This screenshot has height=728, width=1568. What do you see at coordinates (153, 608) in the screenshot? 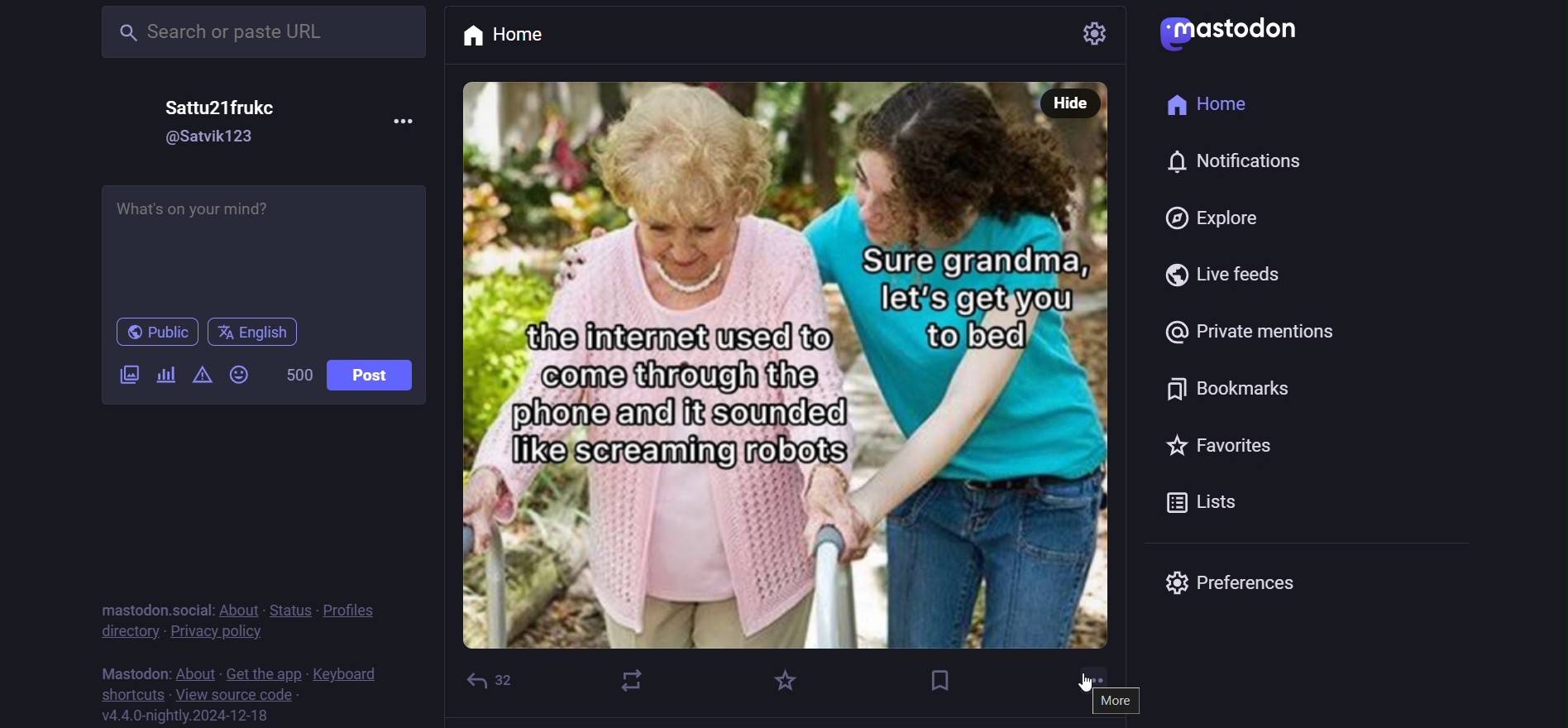
I see `mastodon social` at bounding box center [153, 608].